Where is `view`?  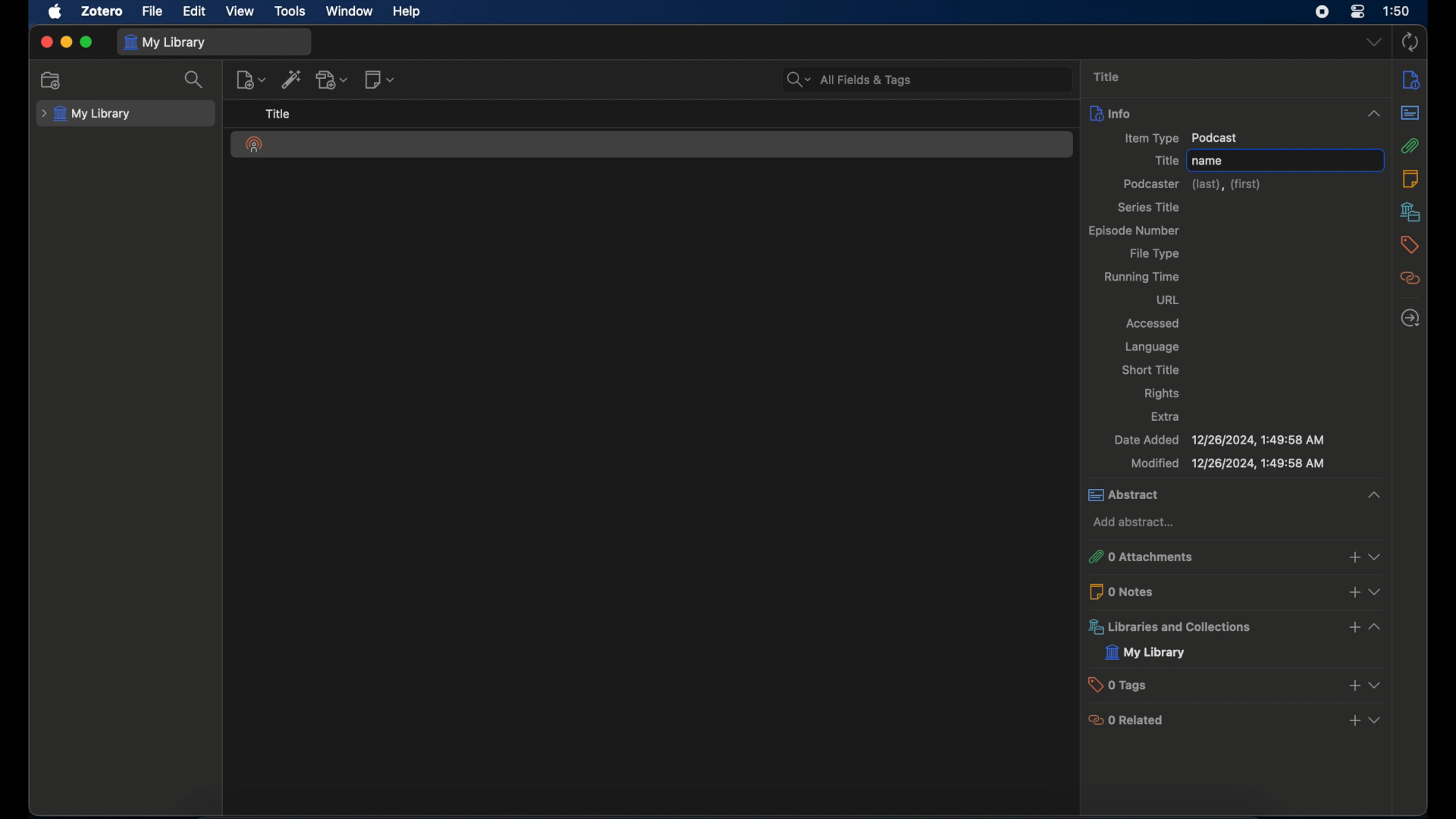 view is located at coordinates (241, 11).